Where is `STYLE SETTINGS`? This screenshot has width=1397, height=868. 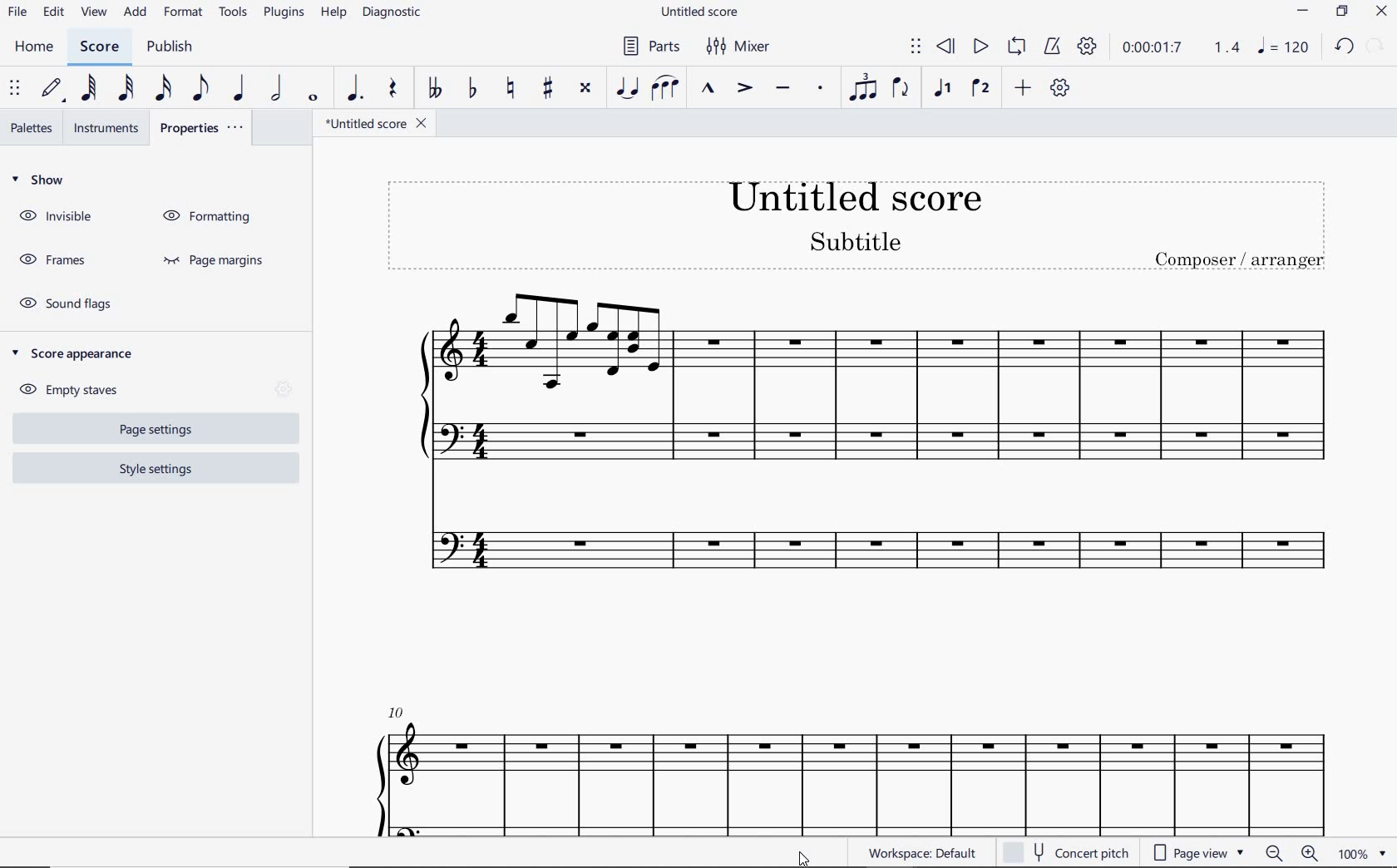
STYLE SETTINGS is located at coordinates (154, 468).